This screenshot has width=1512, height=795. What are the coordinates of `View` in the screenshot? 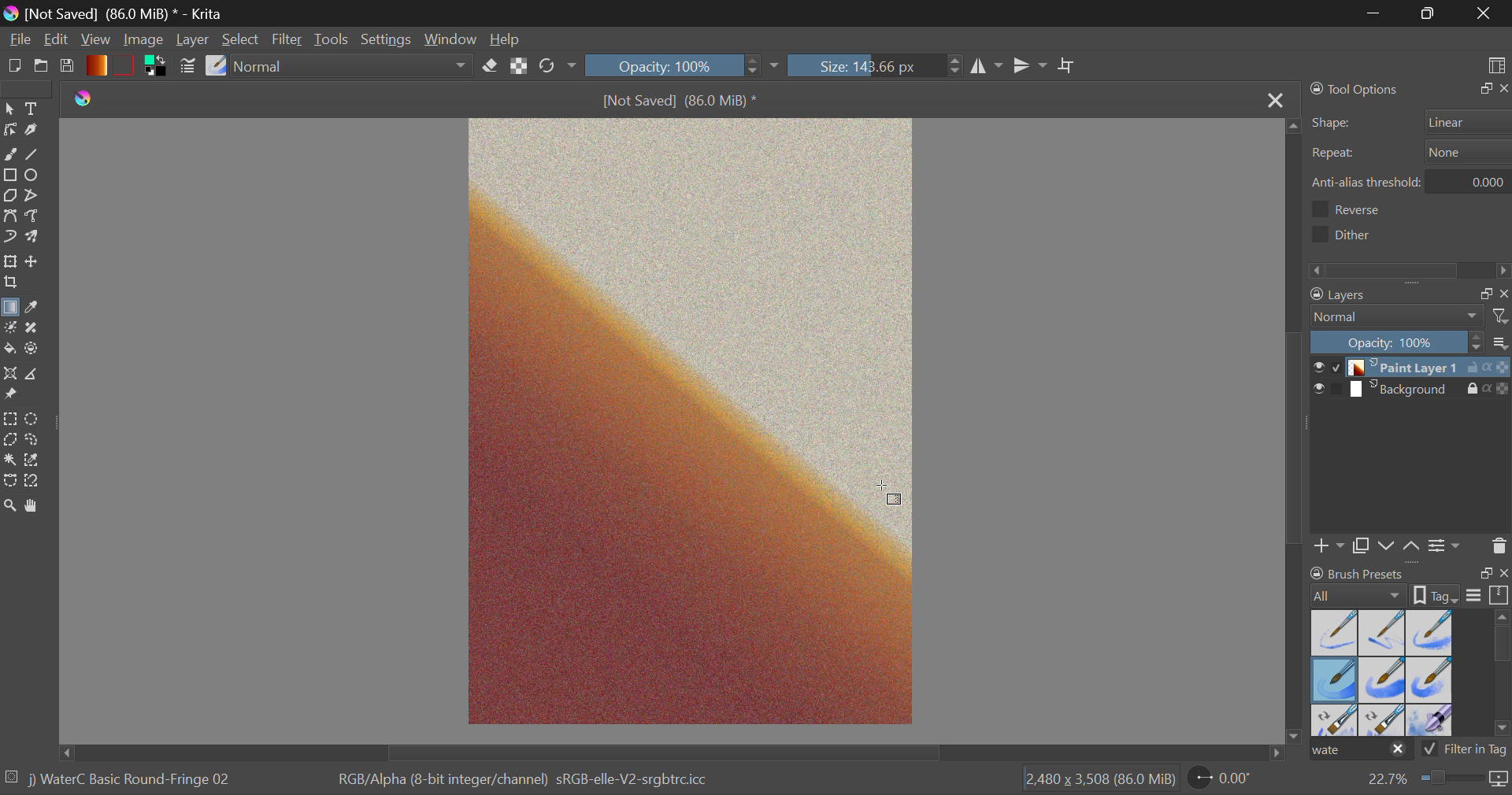 It's located at (94, 40).